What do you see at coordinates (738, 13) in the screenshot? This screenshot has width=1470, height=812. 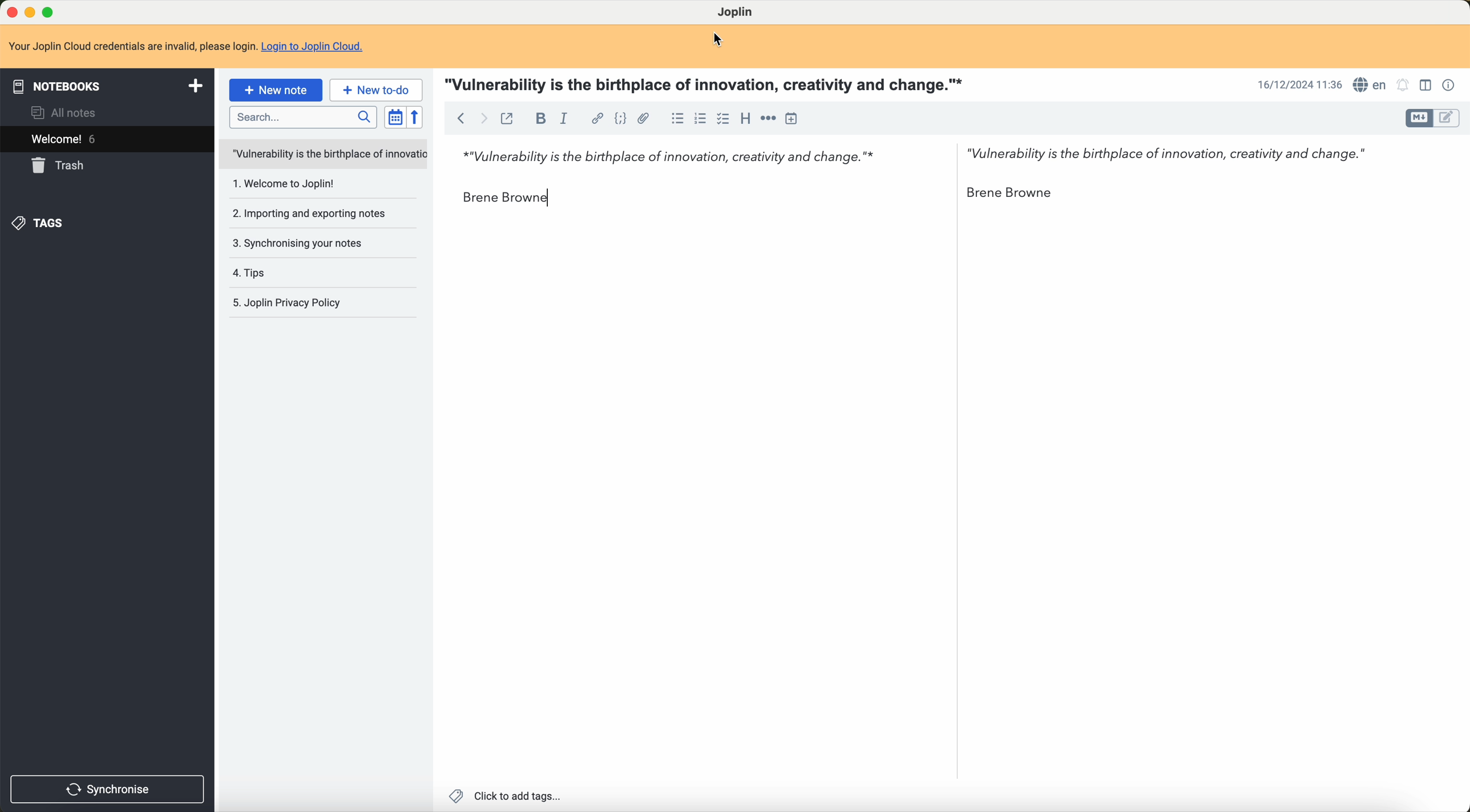 I see `Joplin` at bounding box center [738, 13].